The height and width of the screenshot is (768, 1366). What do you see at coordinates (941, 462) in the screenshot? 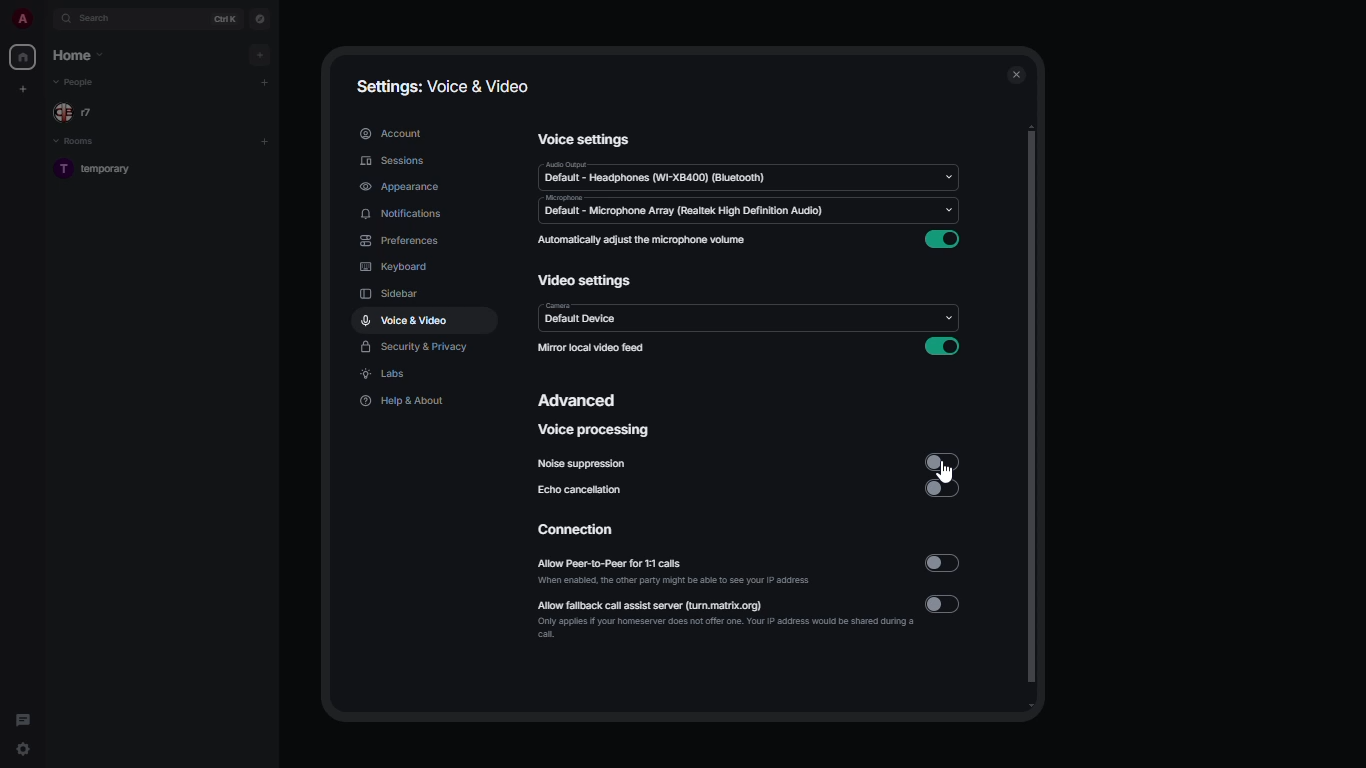
I see `disabled` at bounding box center [941, 462].